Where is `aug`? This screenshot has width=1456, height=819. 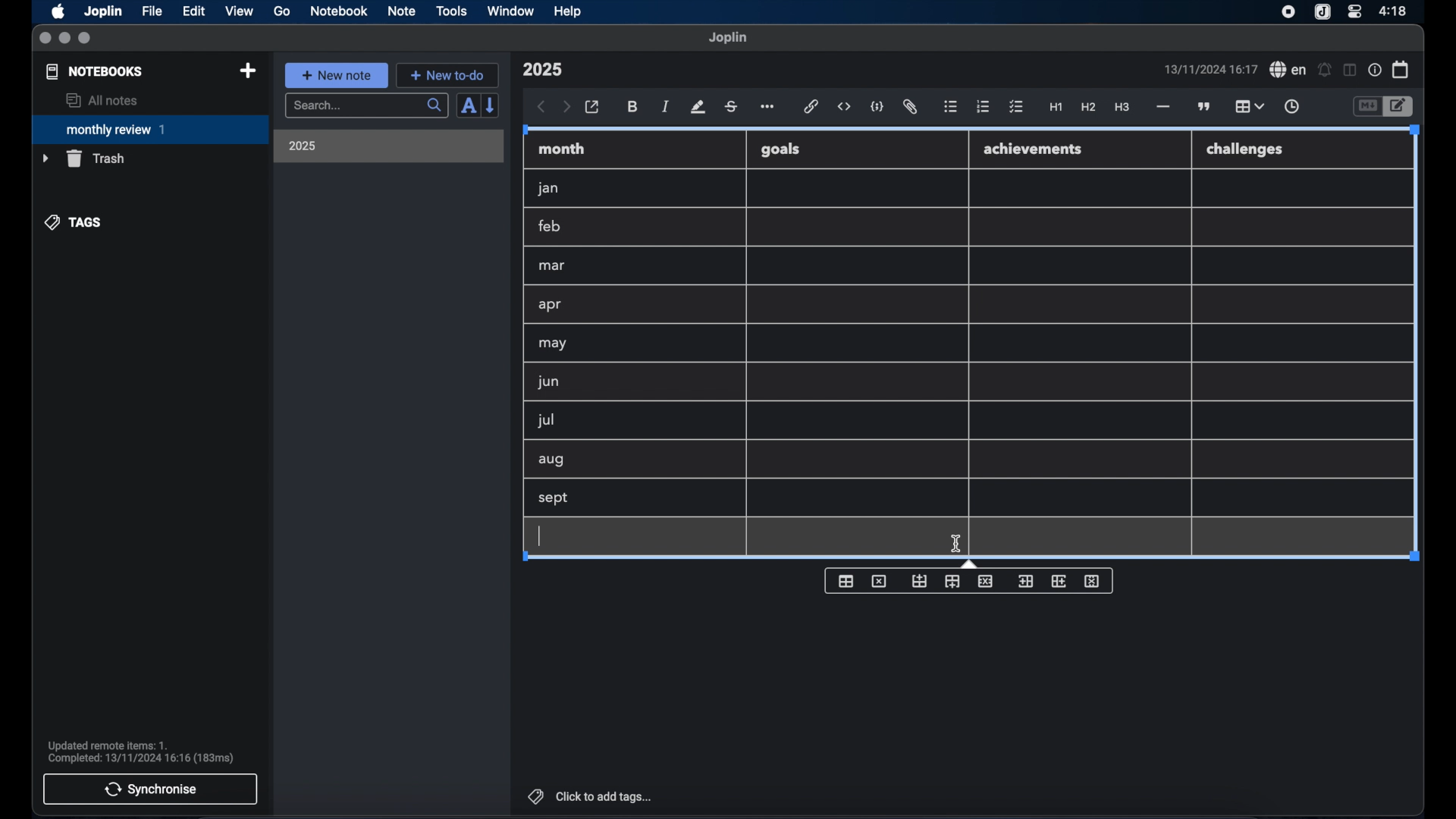 aug is located at coordinates (551, 461).